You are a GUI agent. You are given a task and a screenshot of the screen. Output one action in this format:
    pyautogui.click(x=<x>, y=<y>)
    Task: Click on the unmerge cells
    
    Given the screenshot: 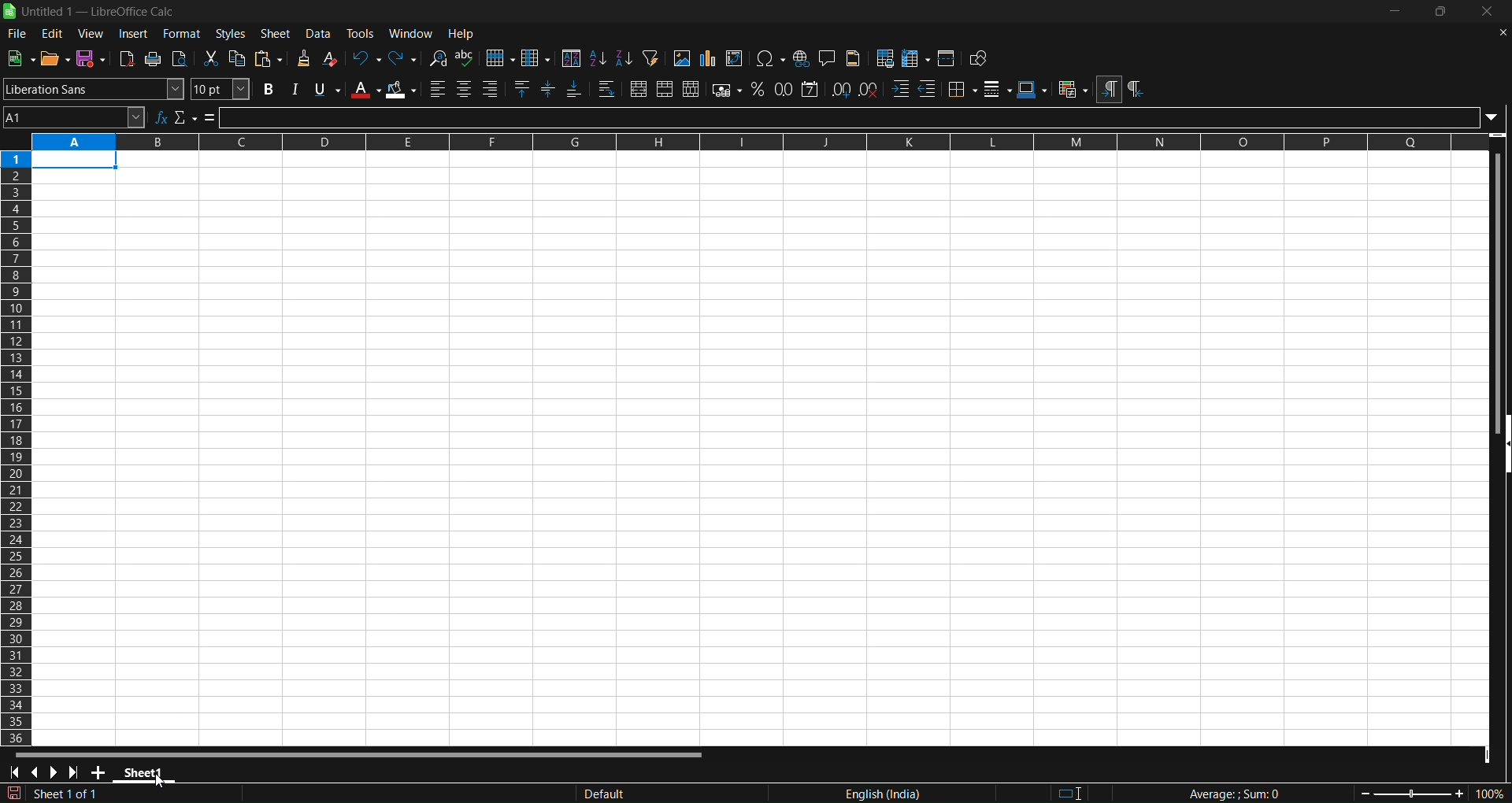 What is the action you would take?
    pyautogui.click(x=691, y=89)
    